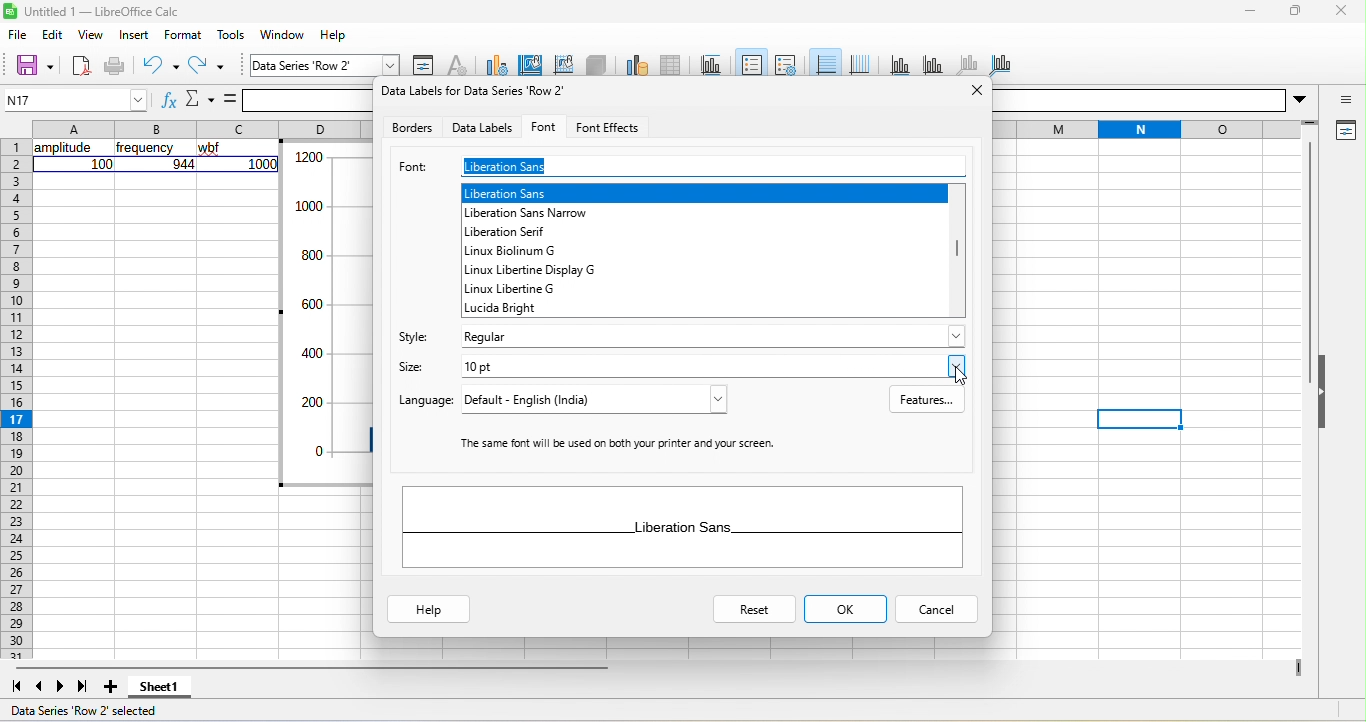  I want to click on minimize, so click(1248, 10).